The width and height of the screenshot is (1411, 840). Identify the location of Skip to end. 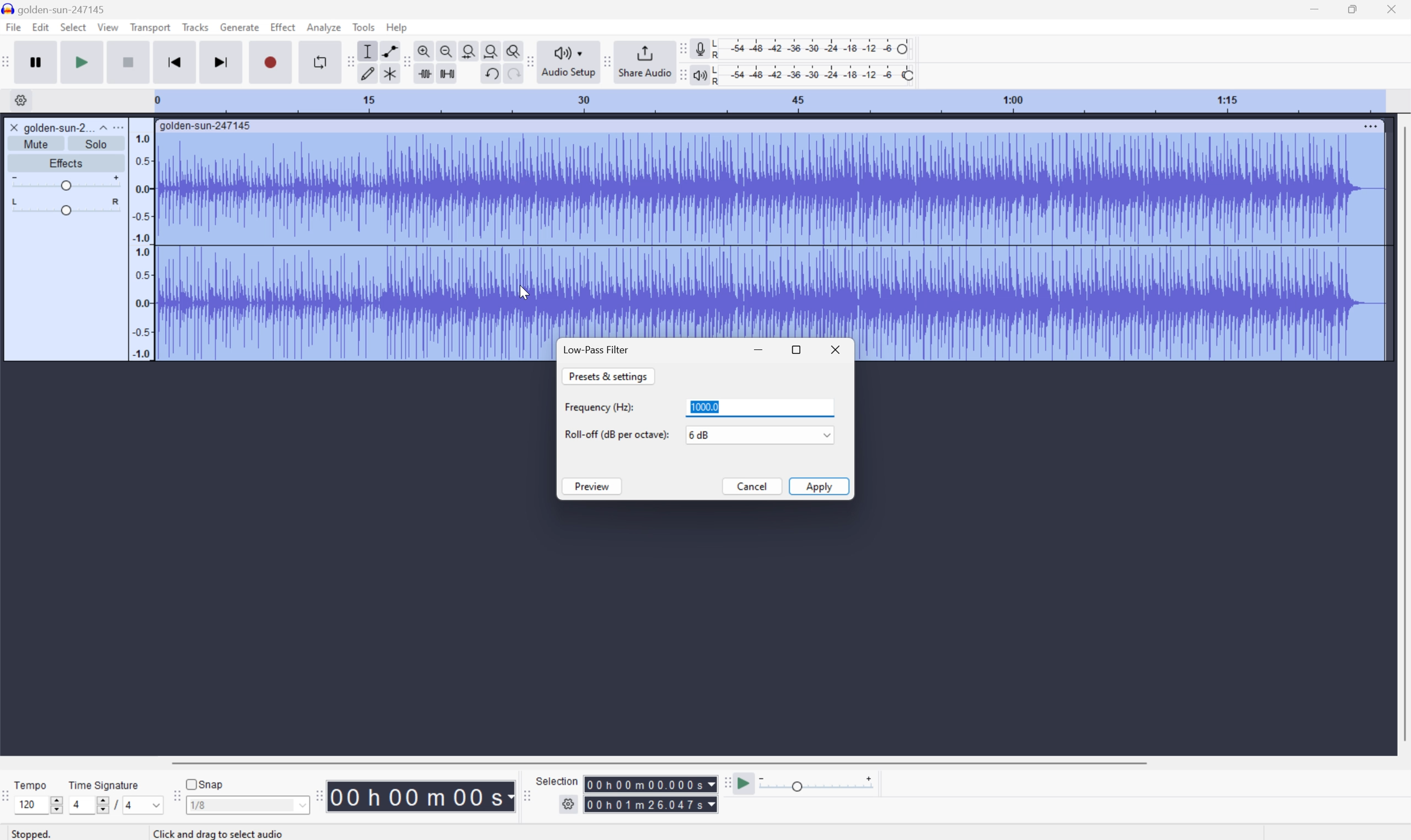
(222, 61).